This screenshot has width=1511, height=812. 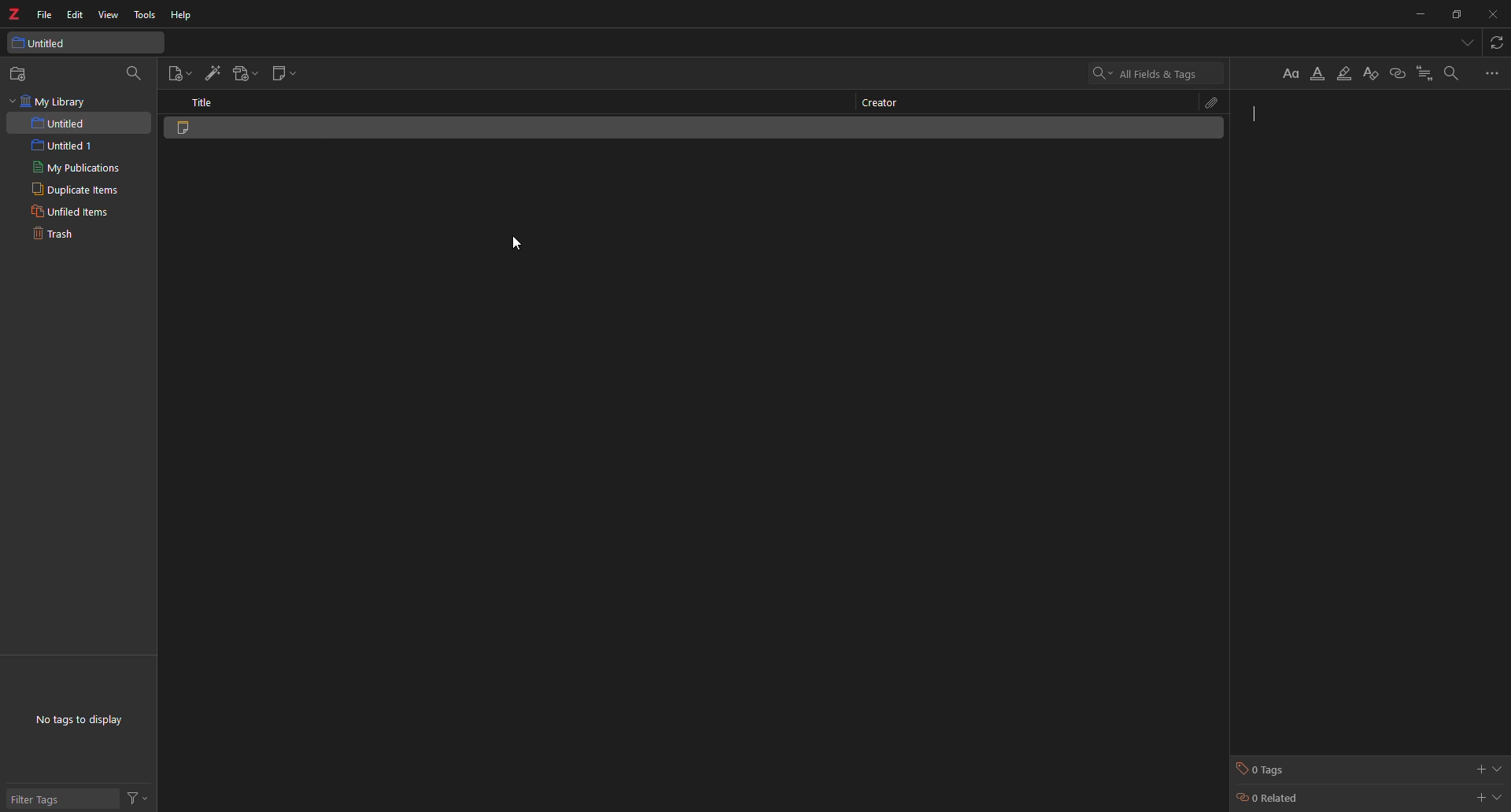 What do you see at coordinates (1148, 72) in the screenshot?
I see `all fields and tags` at bounding box center [1148, 72].